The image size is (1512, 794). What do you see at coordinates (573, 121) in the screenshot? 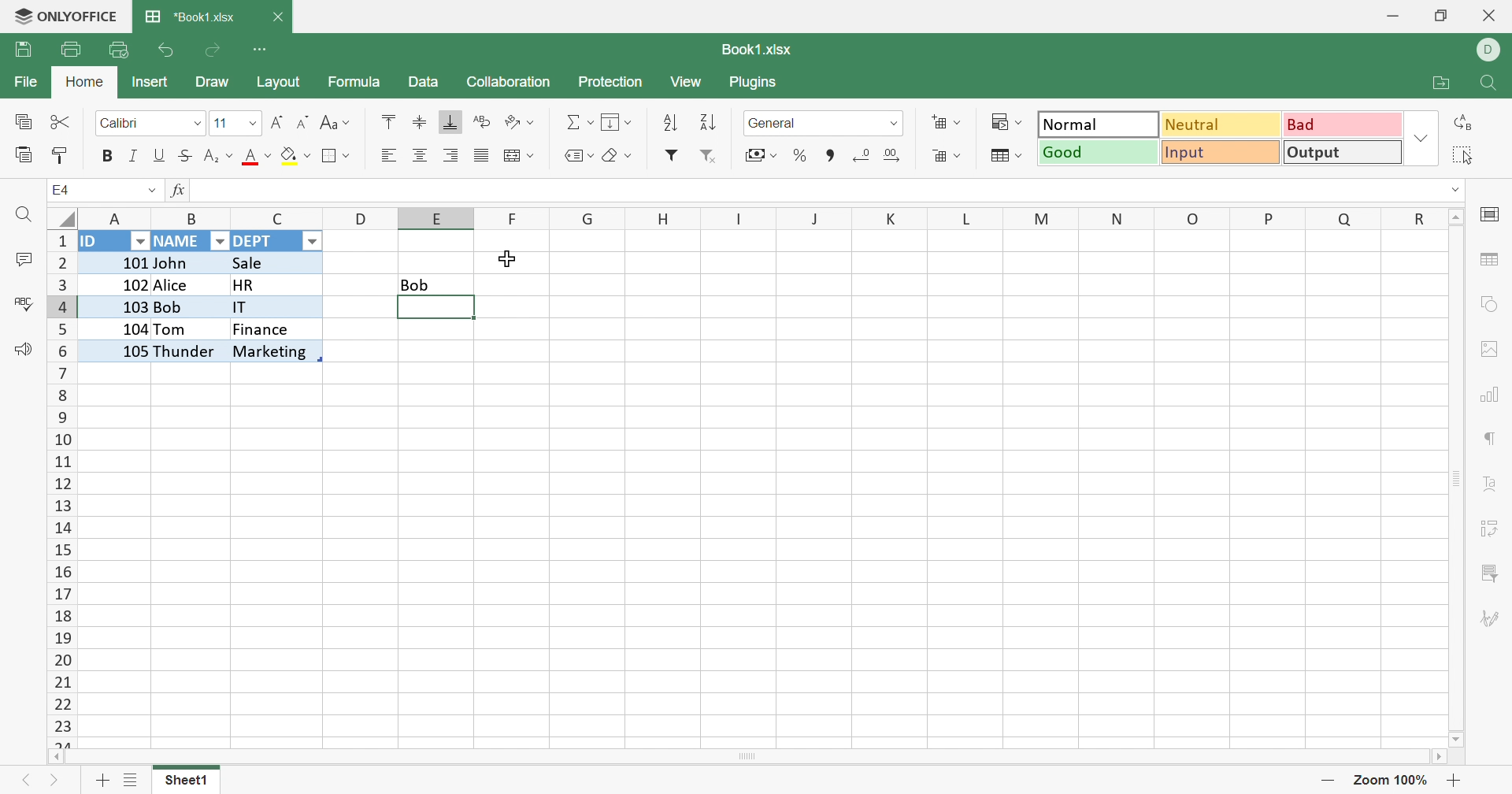
I see `Summation` at bounding box center [573, 121].